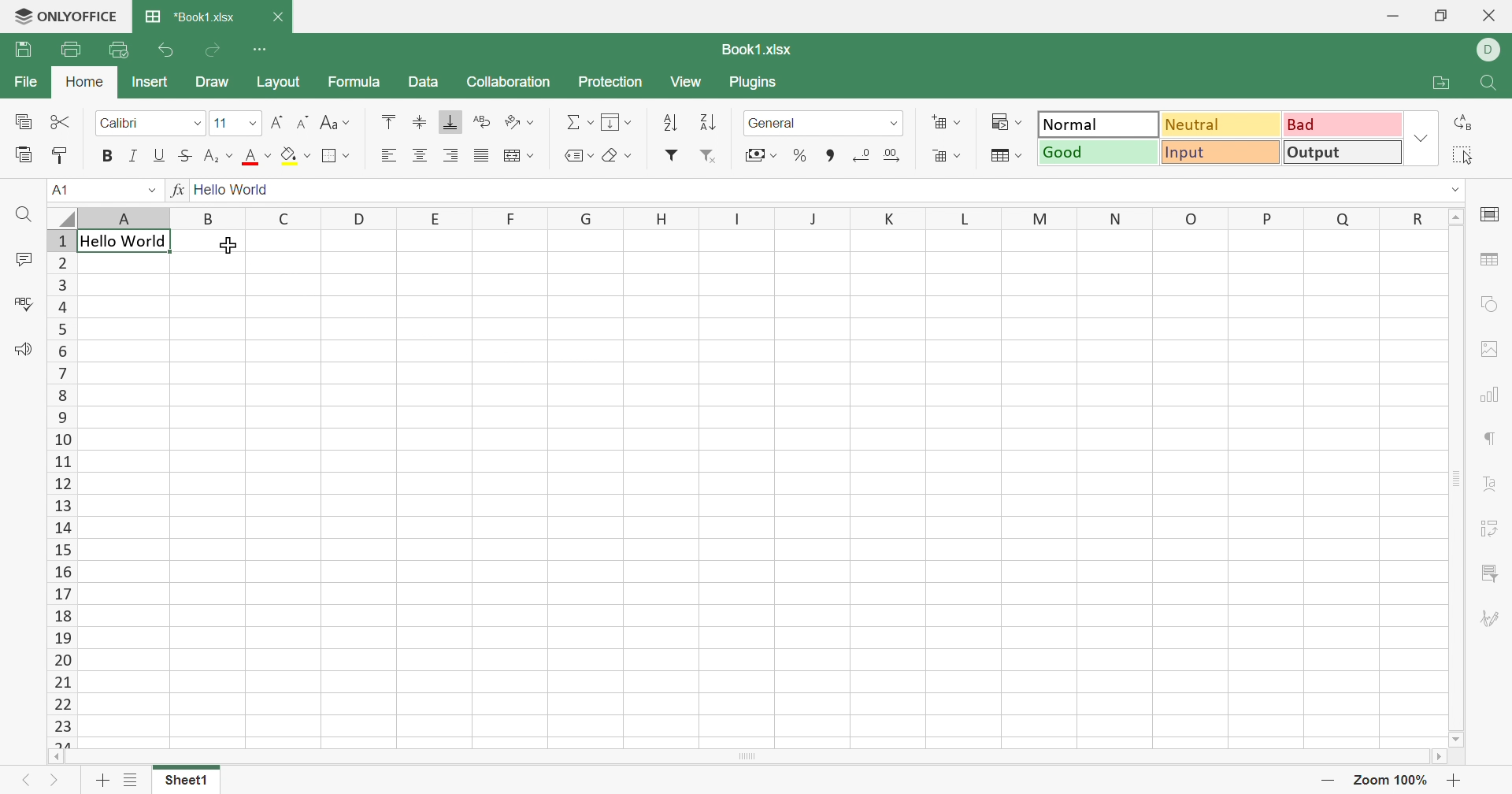 The image size is (1512, 794). Describe the element at coordinates (1418, 137) in the screenshot. I see `Drop down` at that location.